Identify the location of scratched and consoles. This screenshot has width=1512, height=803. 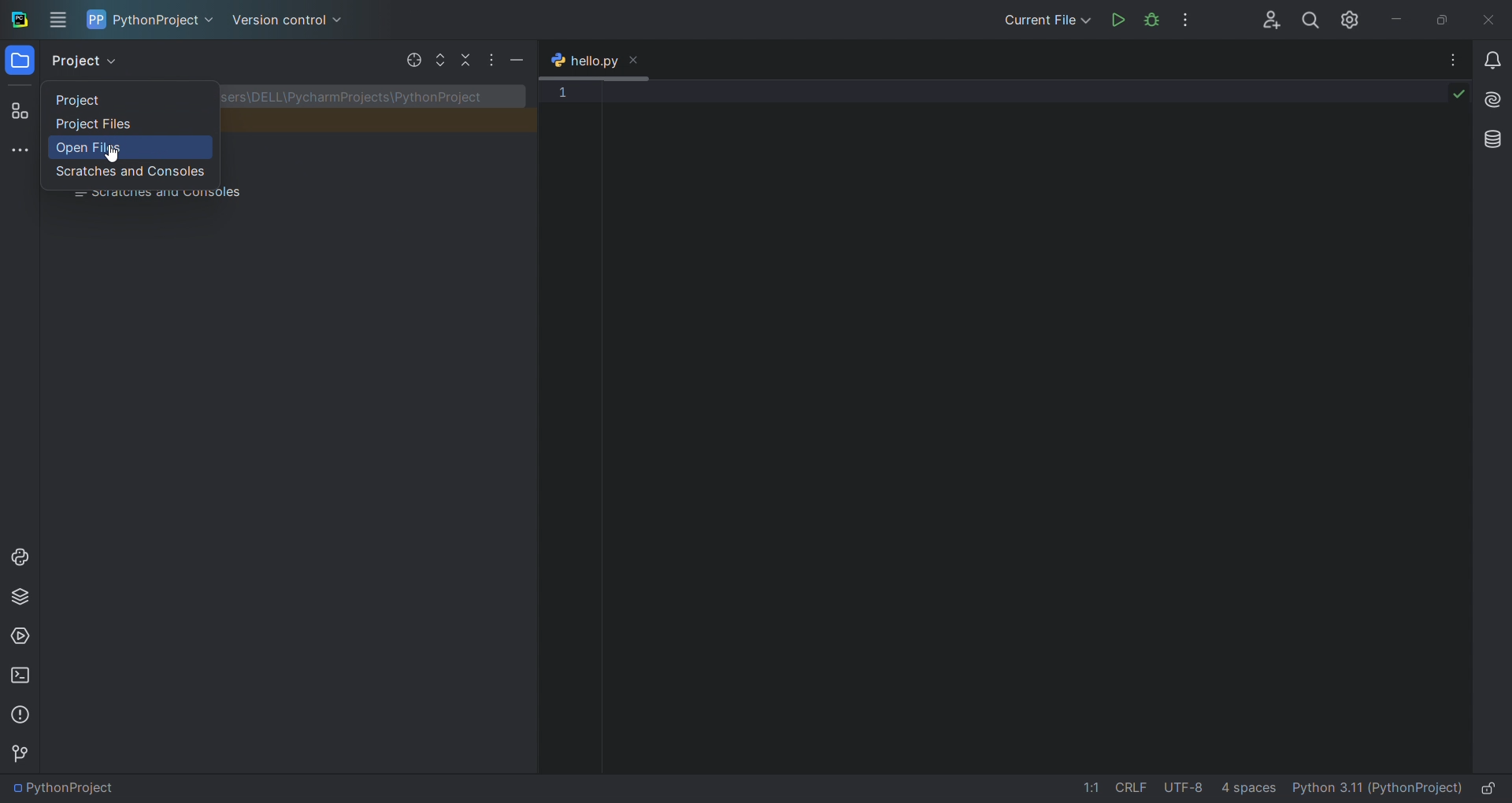
(132, 184).